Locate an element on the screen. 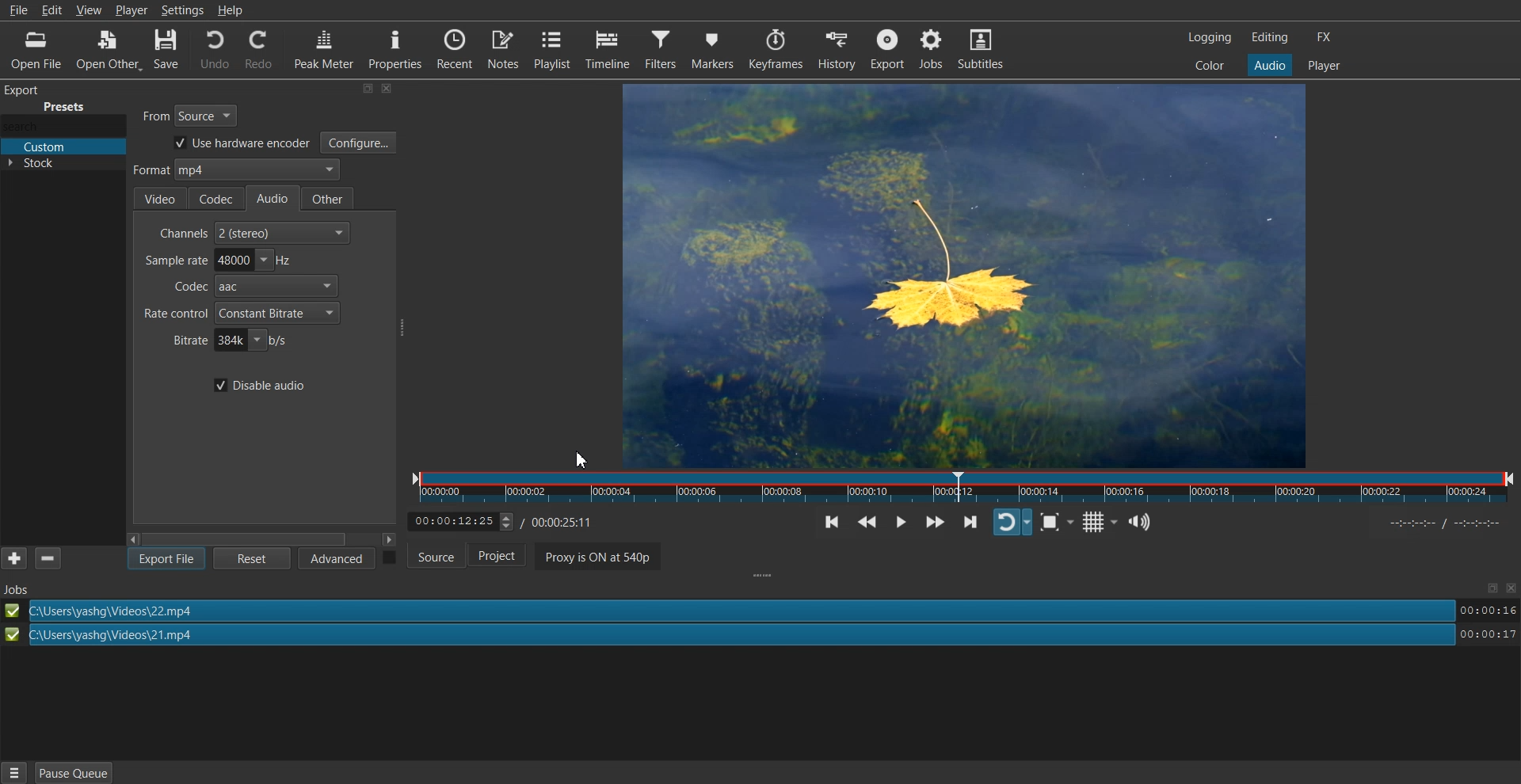 The width and height of the screenshot is (1521, 784). Maximize is located at coordinates (1491, 588).